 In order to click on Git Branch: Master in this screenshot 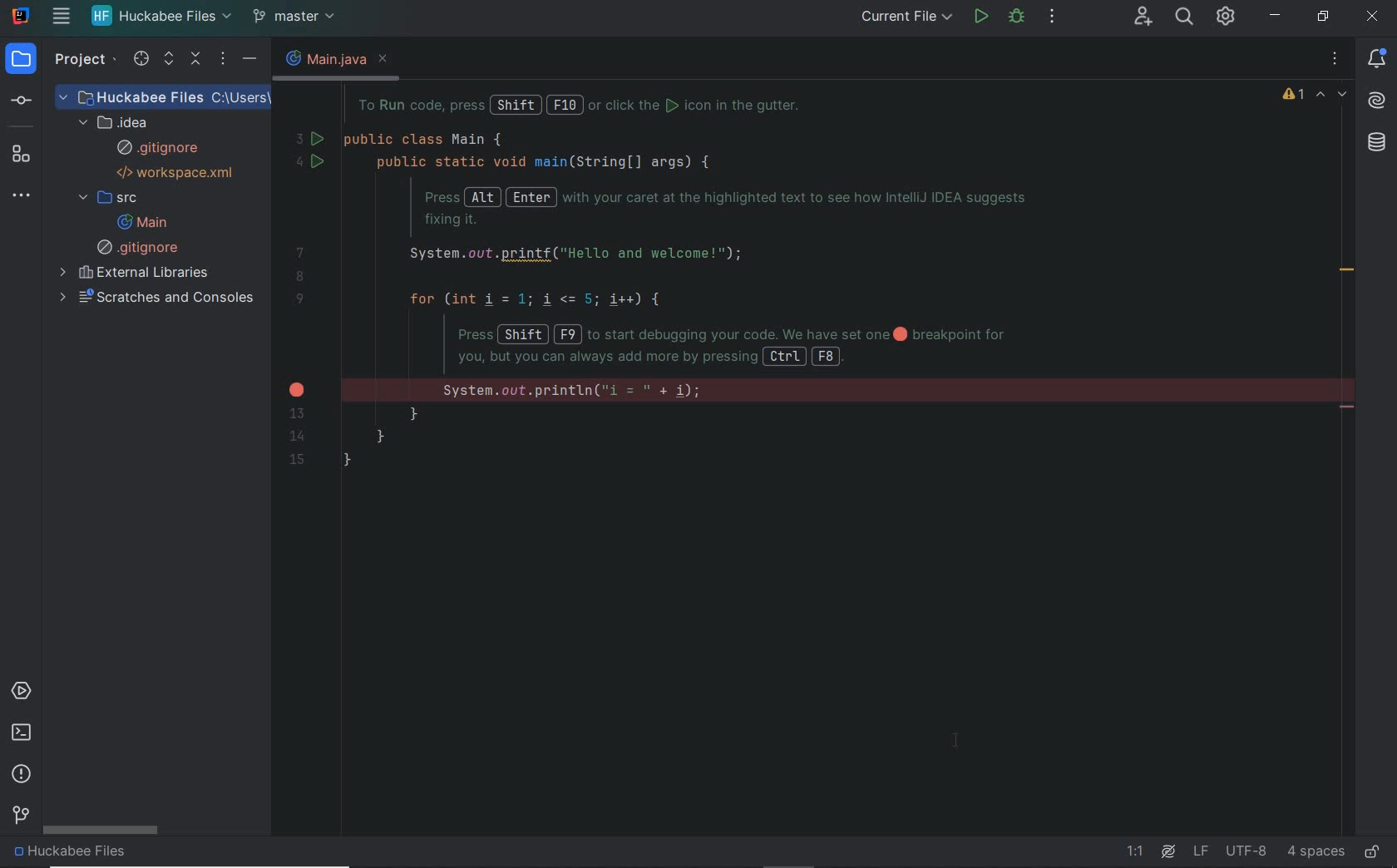, I will do `click(299, 17)`.